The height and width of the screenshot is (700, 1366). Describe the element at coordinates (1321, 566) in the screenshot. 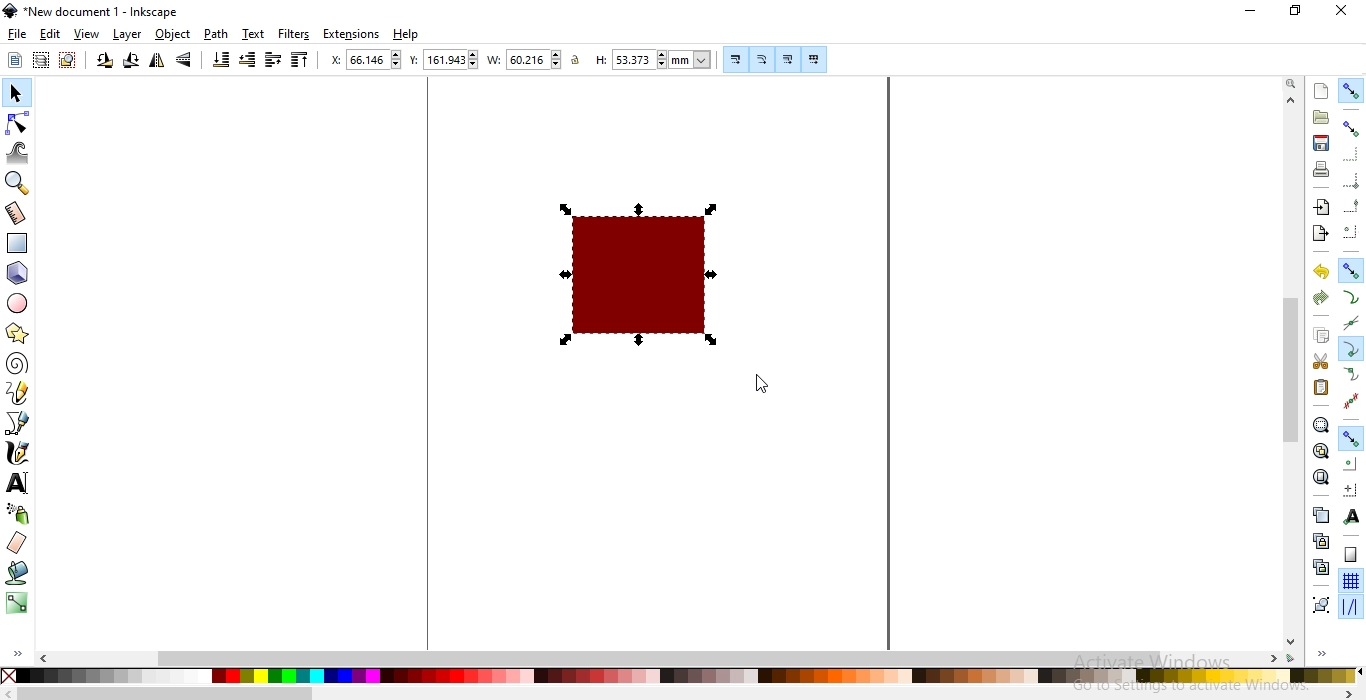

I see `cut the selected clones` at that location.